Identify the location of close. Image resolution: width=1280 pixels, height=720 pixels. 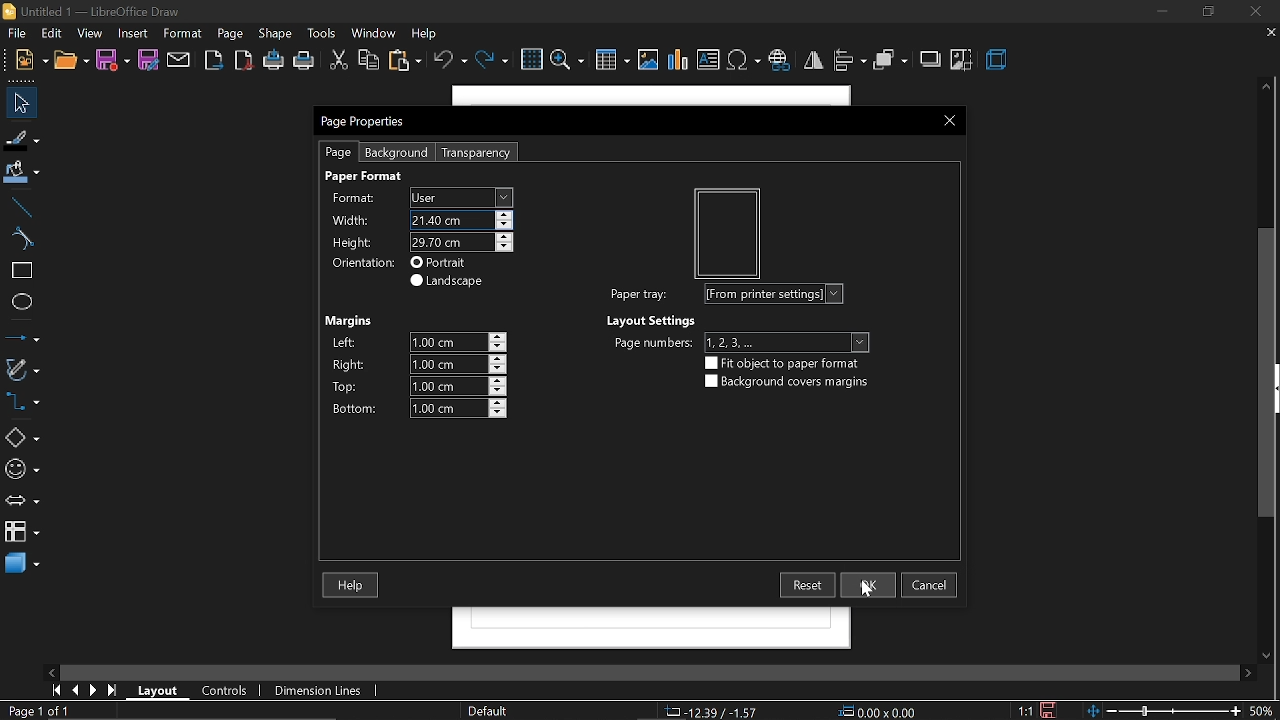
(1257, 14).